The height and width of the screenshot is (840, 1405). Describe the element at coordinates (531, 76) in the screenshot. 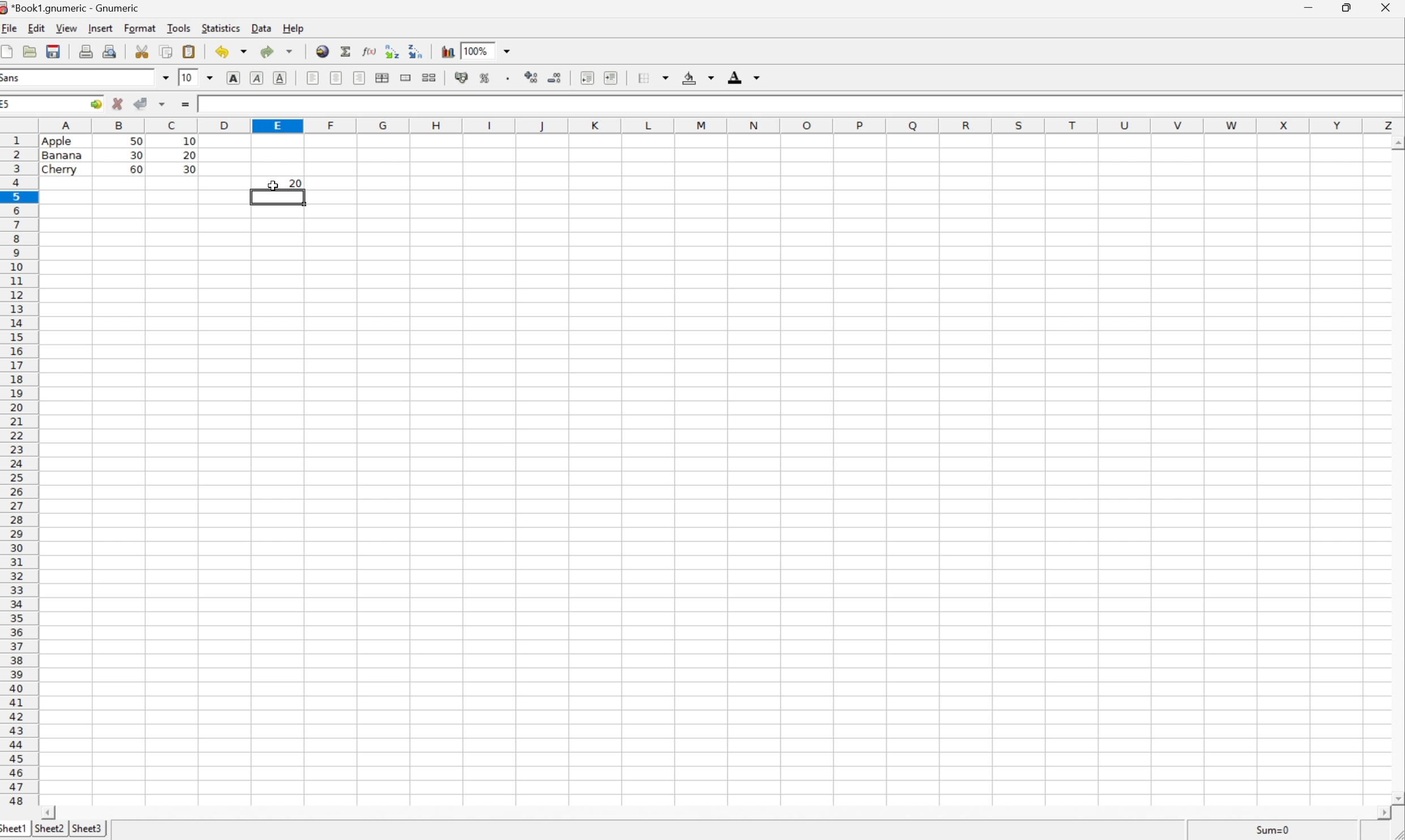

I see `increase number of decimals displayed` at that location.